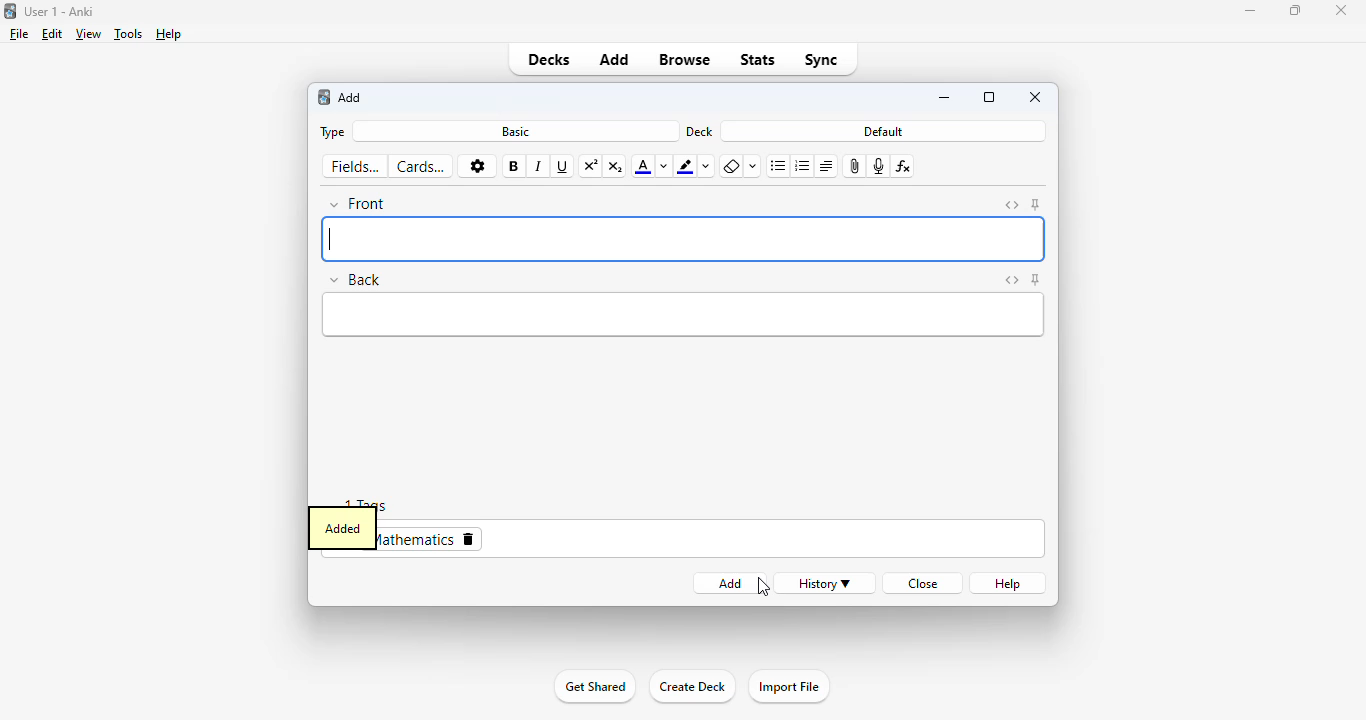  I want to click on minimize, so click(946, 99).